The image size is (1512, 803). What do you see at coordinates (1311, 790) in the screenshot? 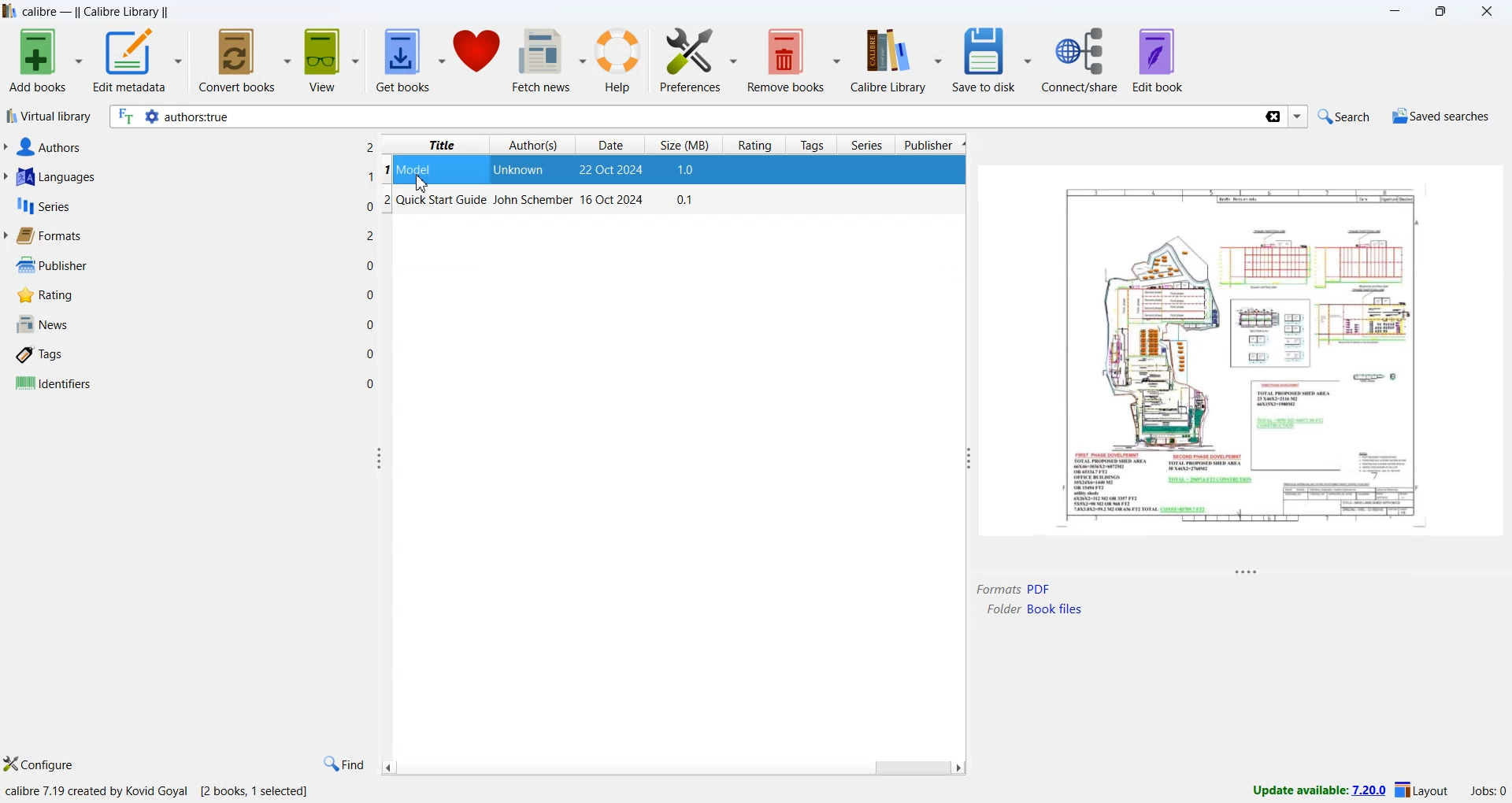
I see `update available` at bounding box center [1311, 790].